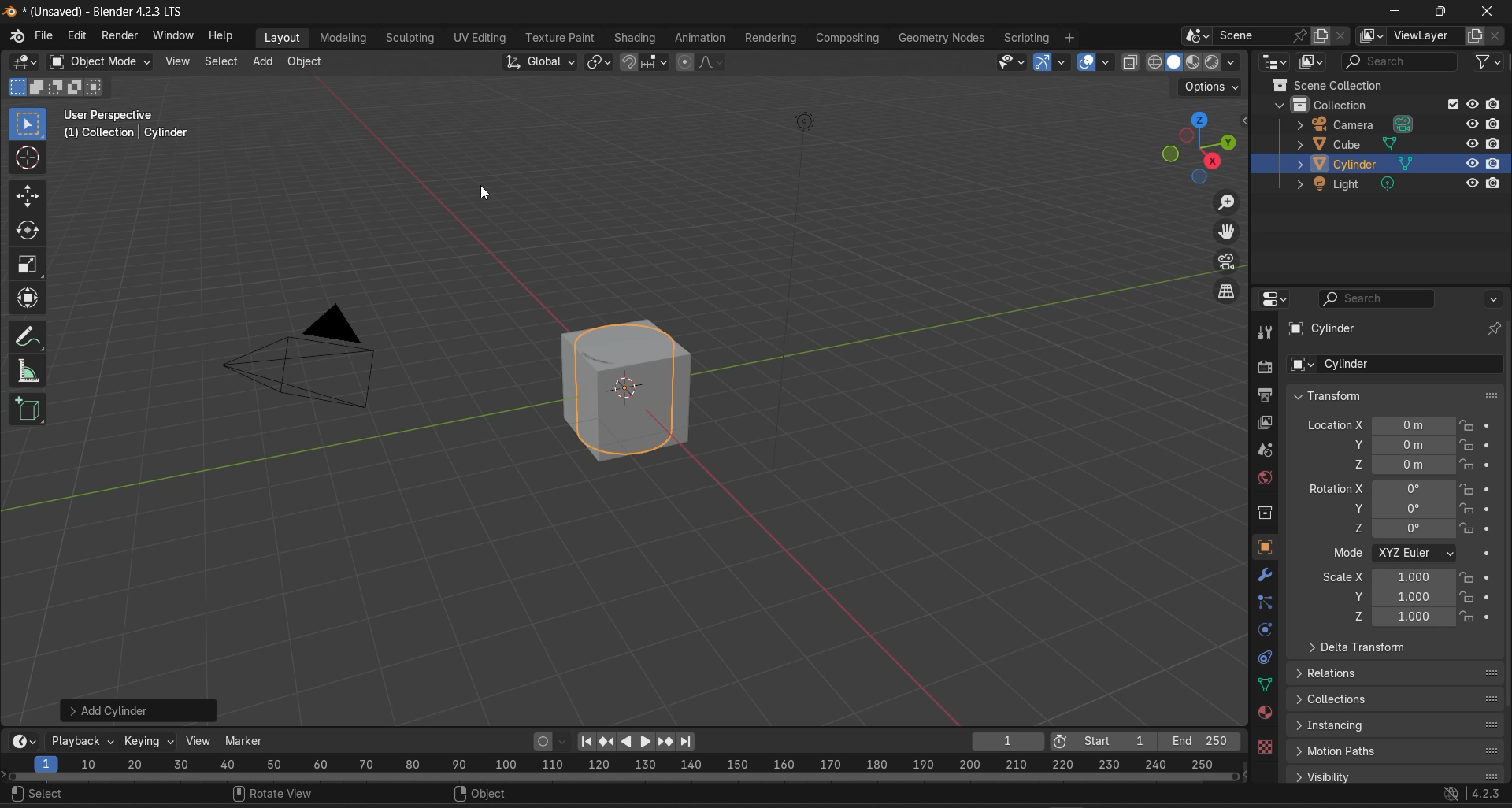 The image size is (1512, 808). Describe the element at coordinates (1490, 577) in the screenshot. I see `animate property` at that location.